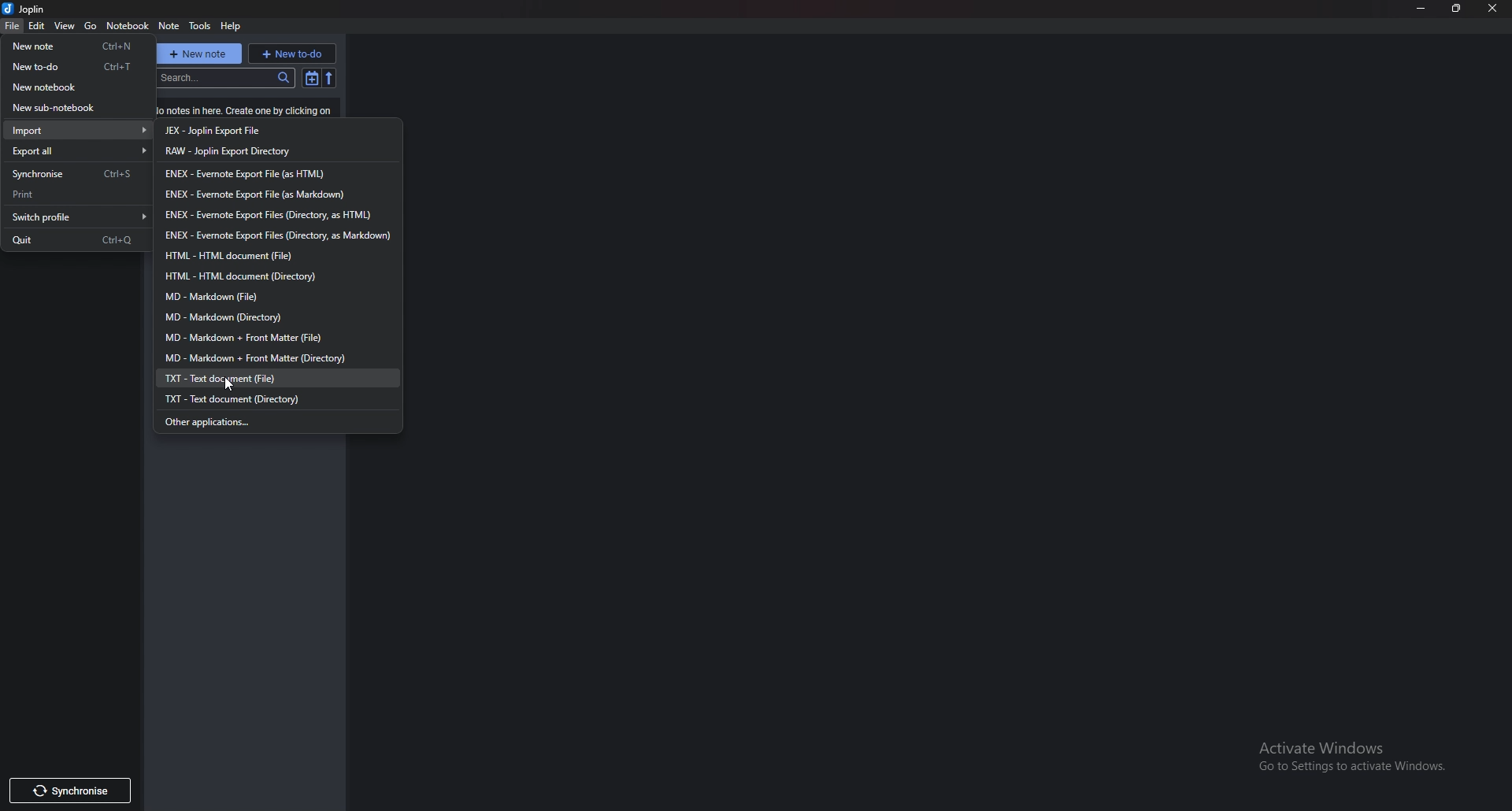 Image resolution: width=1512 pixels, height=811 pixels. Describe the element at coordinates (269, 216) in the screenshot. I see `enex directory html` at that location.